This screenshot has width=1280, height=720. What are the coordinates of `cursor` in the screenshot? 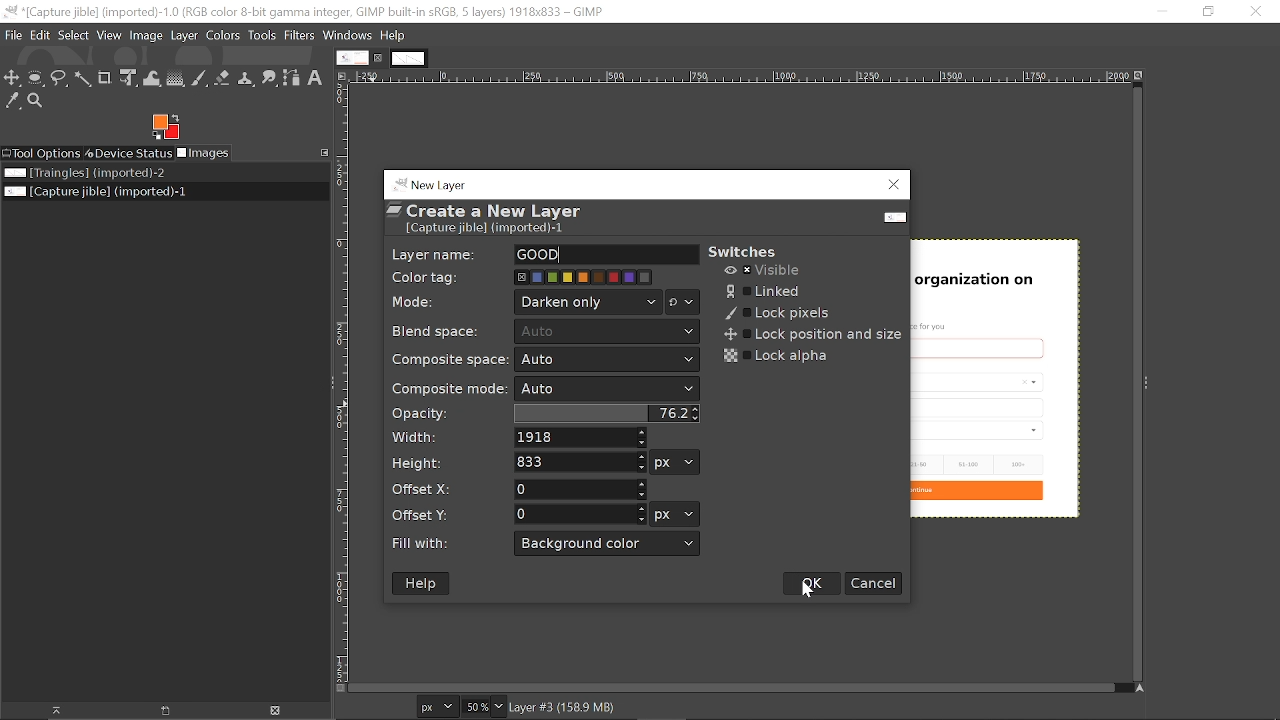 It's located at (810, 591).